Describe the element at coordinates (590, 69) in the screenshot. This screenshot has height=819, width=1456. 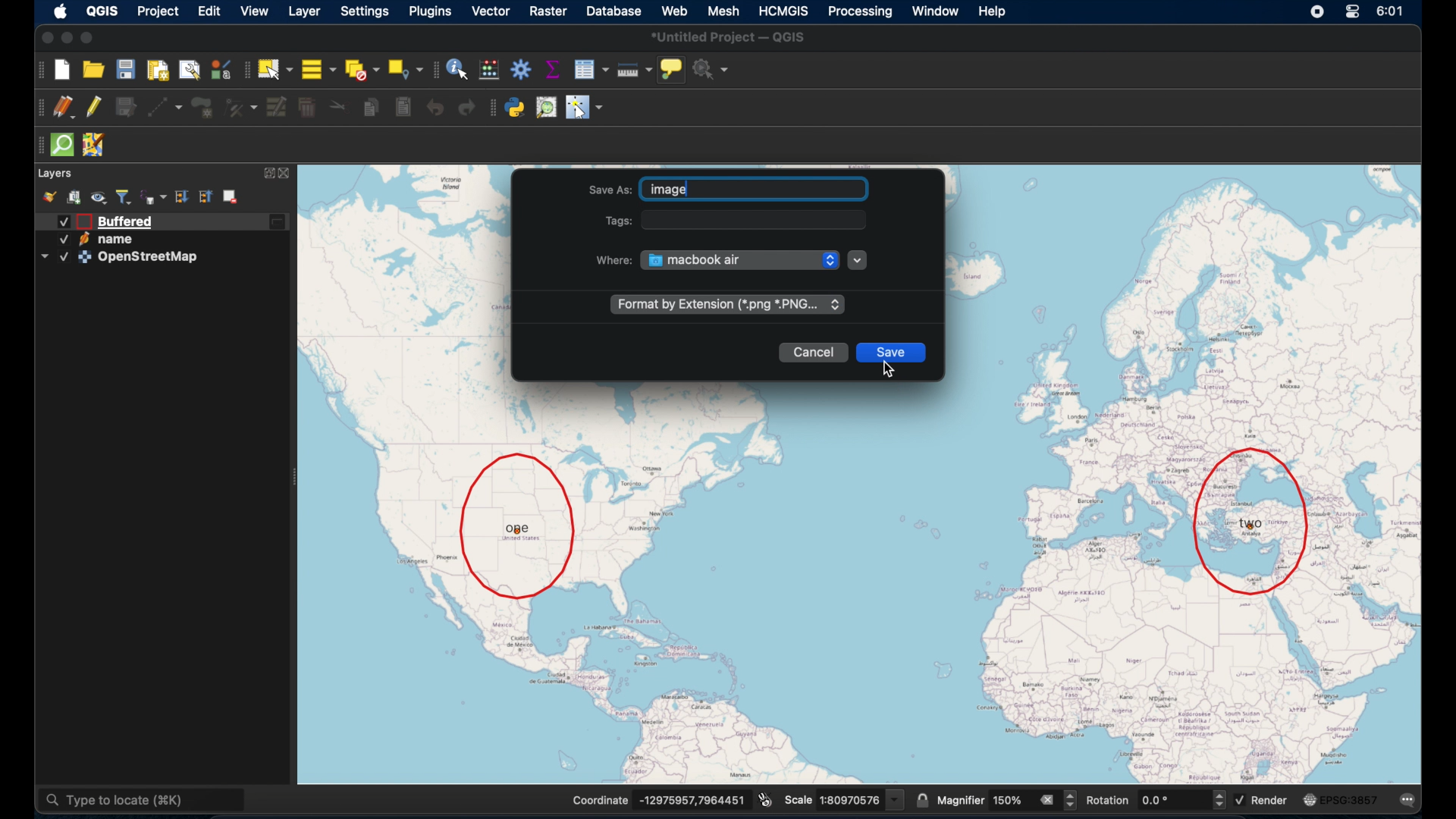
I see `open attribute table` at that location.